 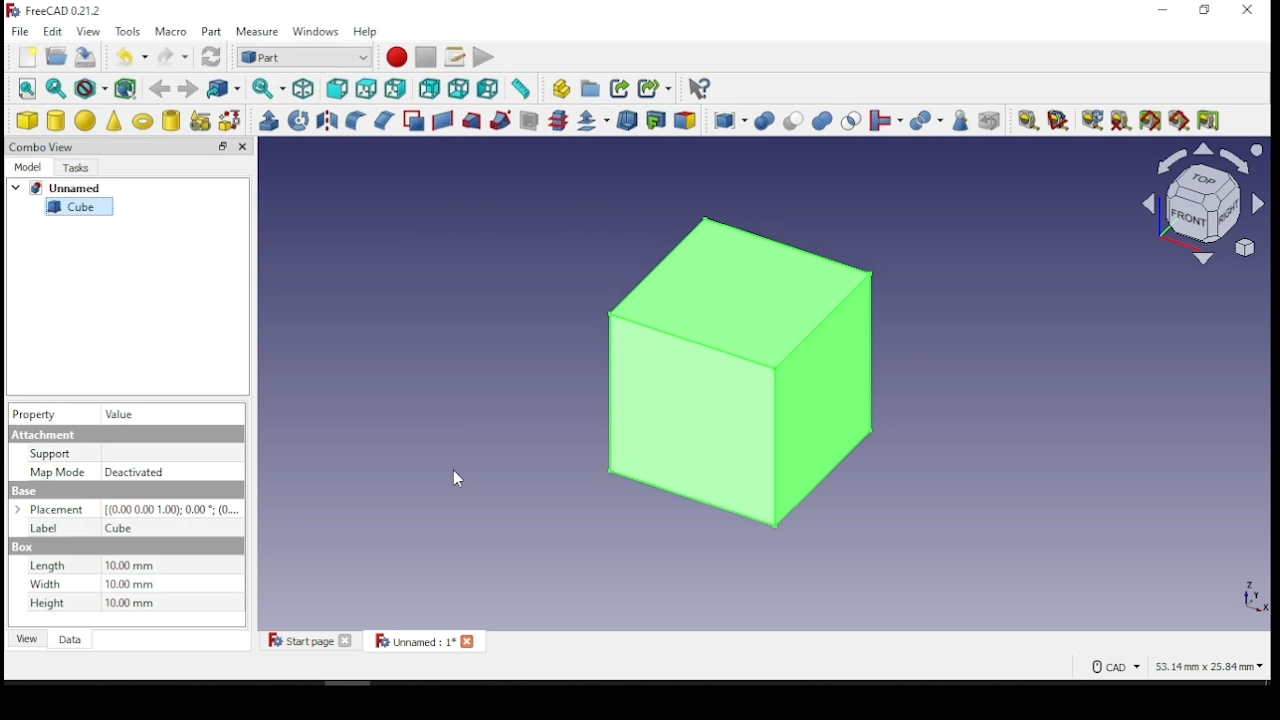 What do you see at coordinates (47, 584) in the screenshot?
I see `Width` at bounding box center [47, 584].